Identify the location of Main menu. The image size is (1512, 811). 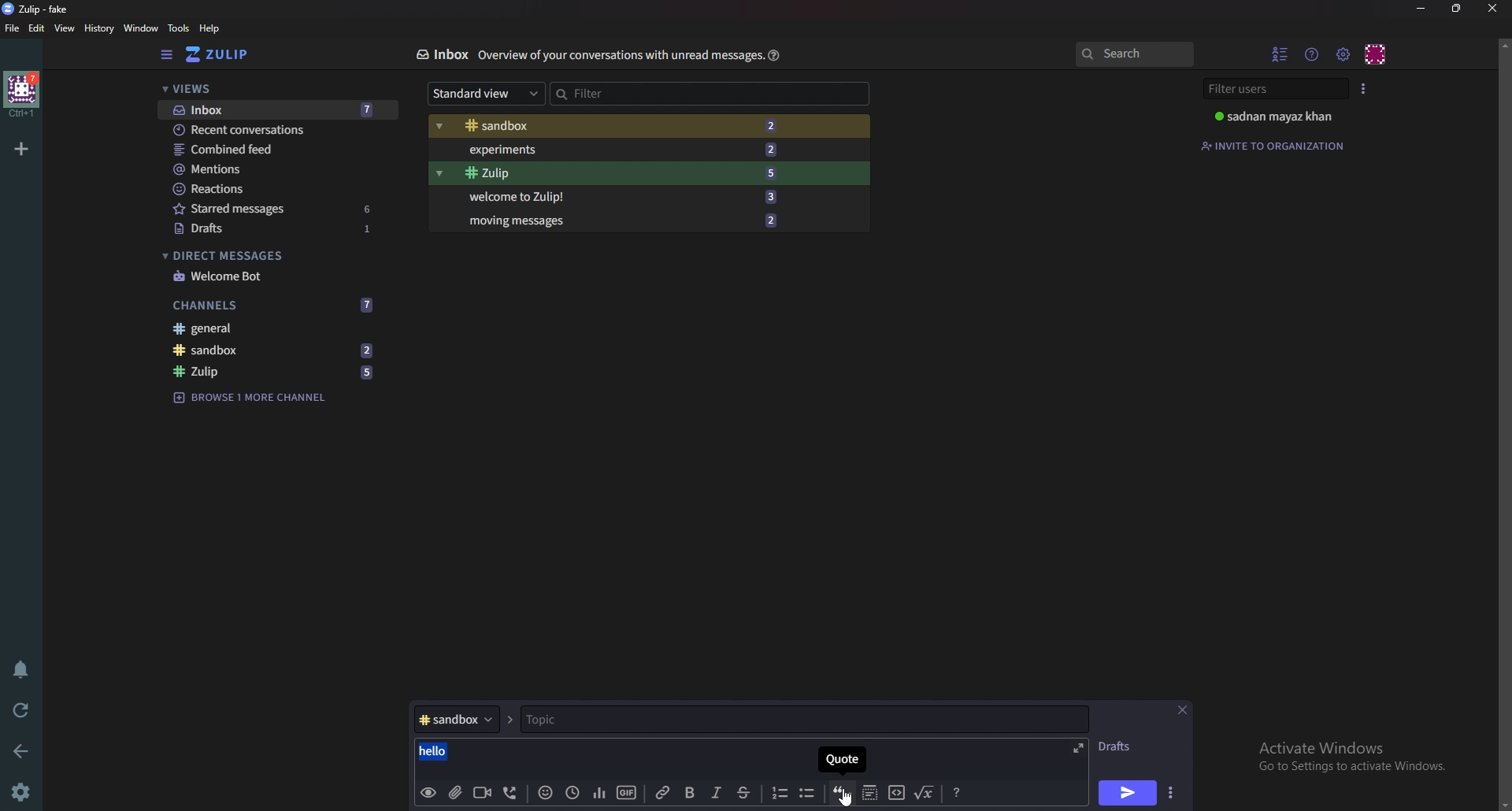
(1345, 54).